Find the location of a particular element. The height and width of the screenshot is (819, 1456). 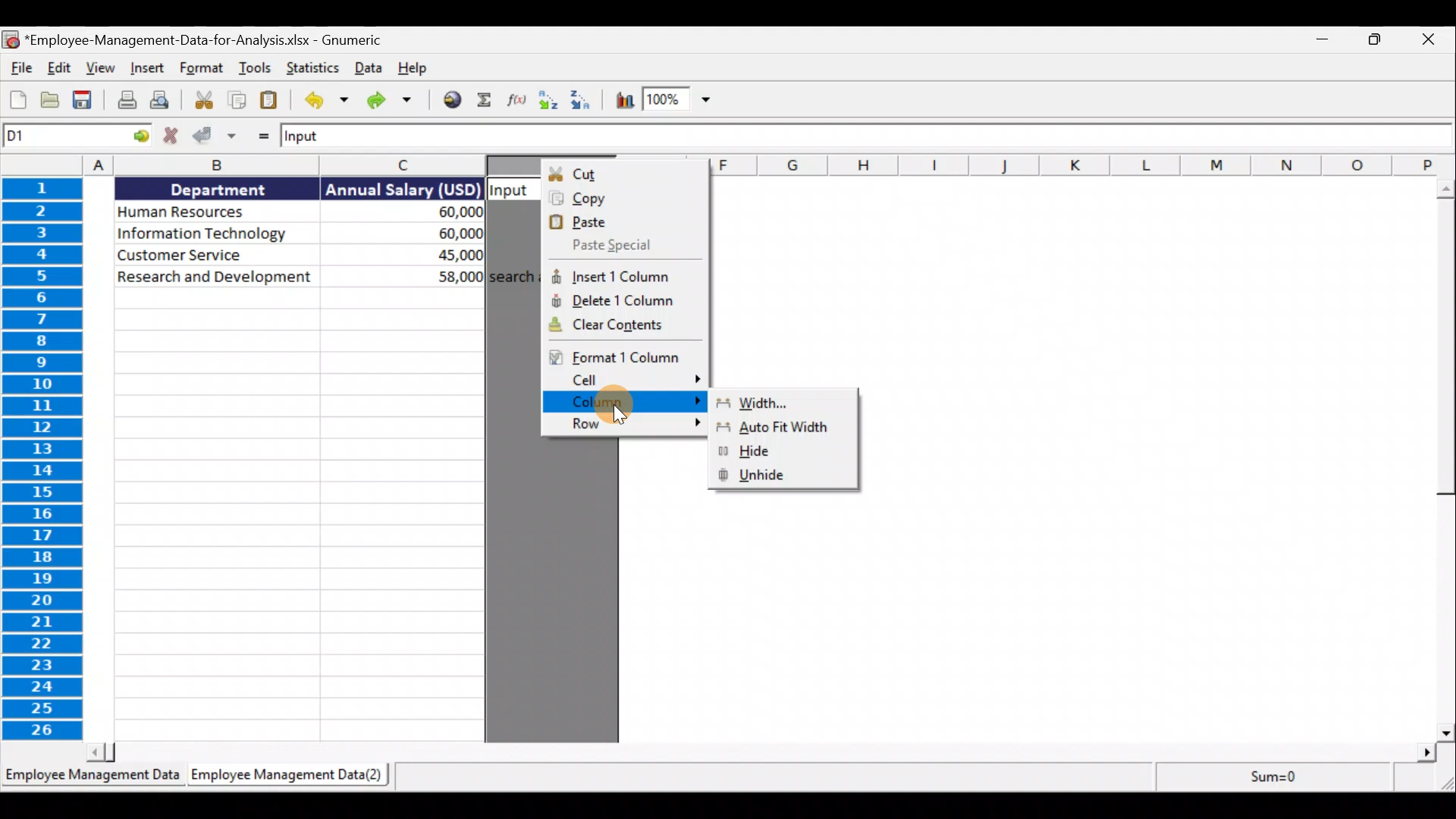

Format 1 column is located at coordinates (622, 356).